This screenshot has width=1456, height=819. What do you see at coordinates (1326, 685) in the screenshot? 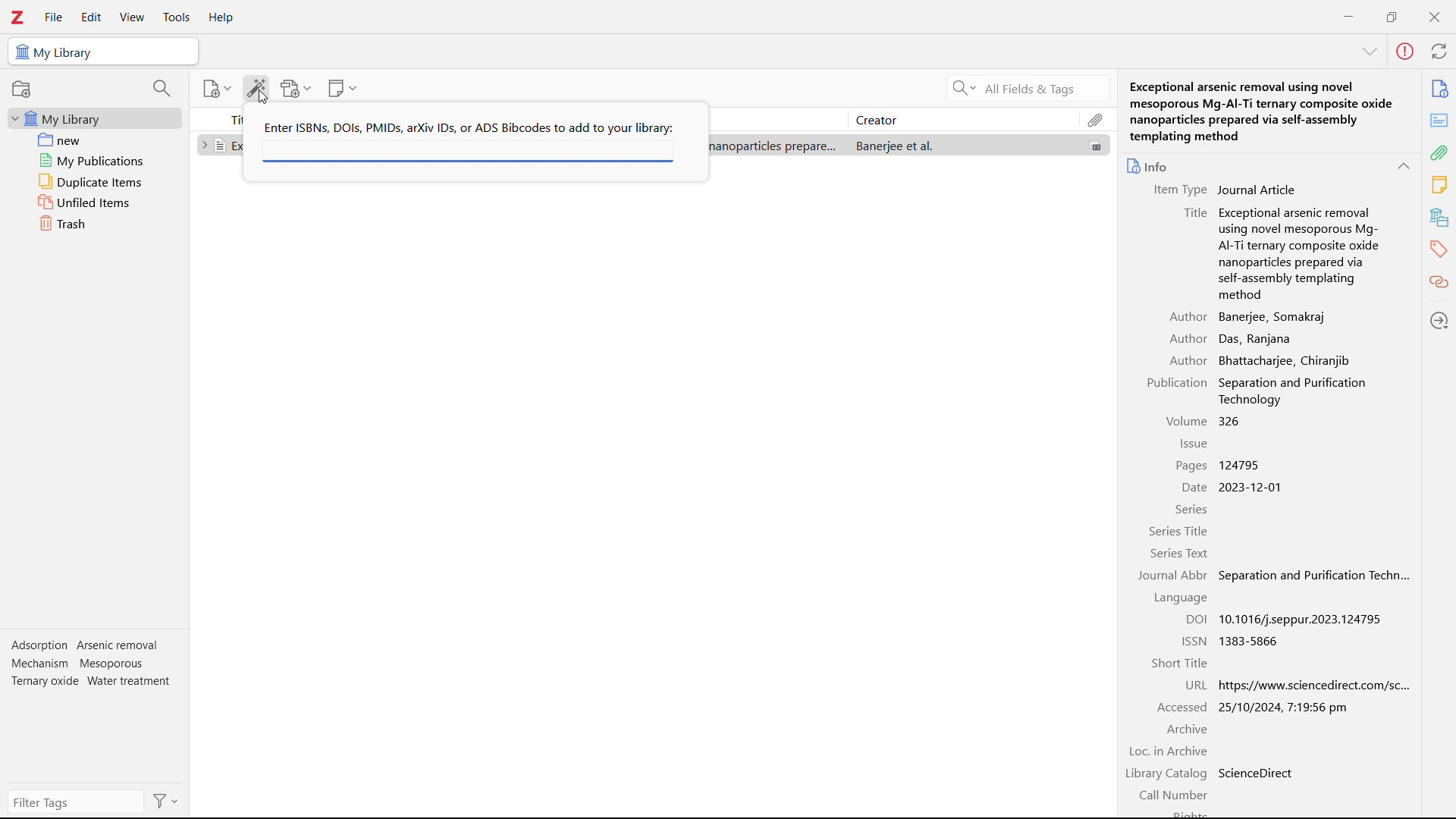
I see `http://www.sciencedirect.com/sc...` at bounding box center [1326, 685].